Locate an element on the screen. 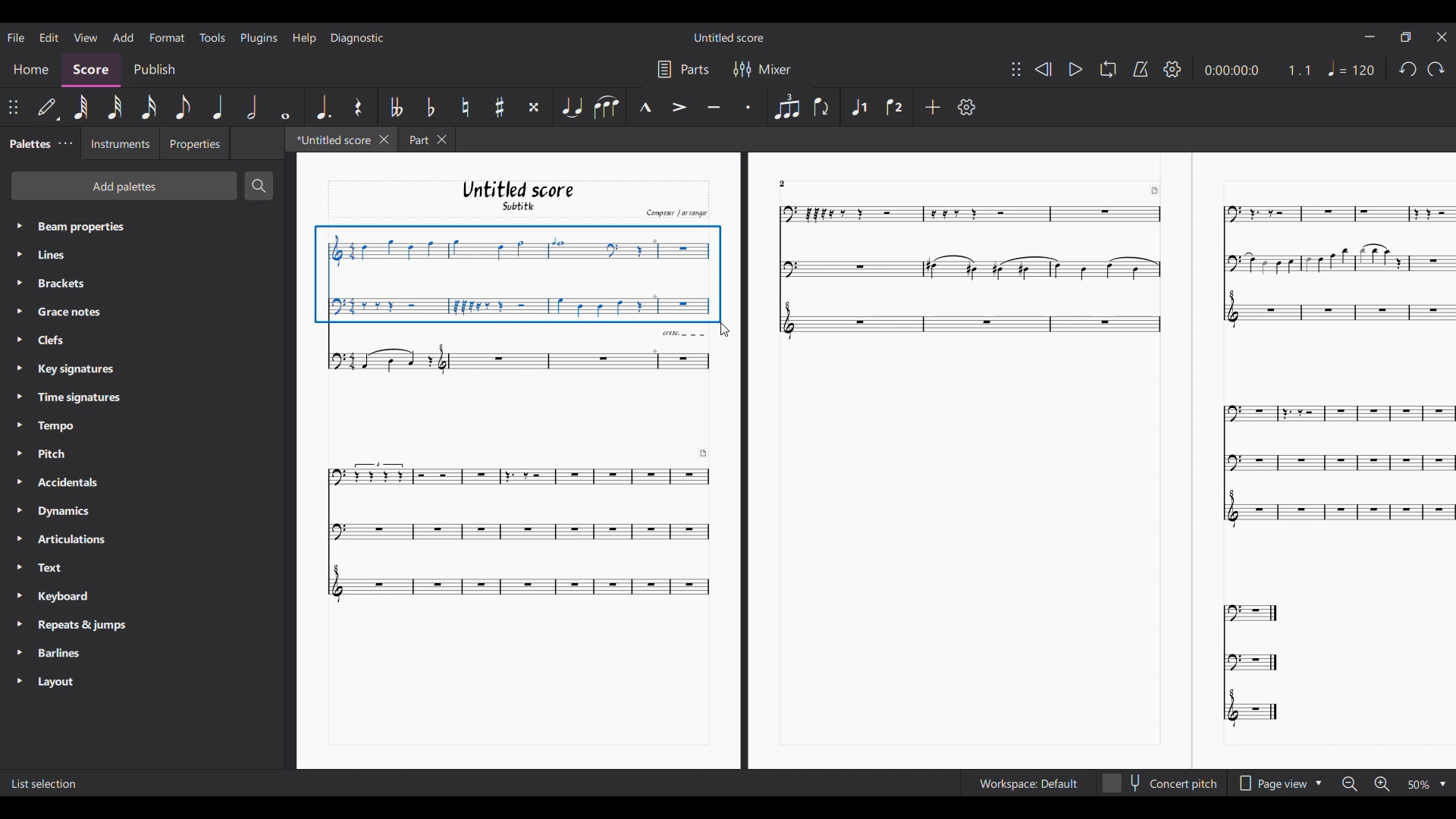 Image resolution: width=1456 pixels, height=819 pixels. Tools is located at coordinates (212, 37).